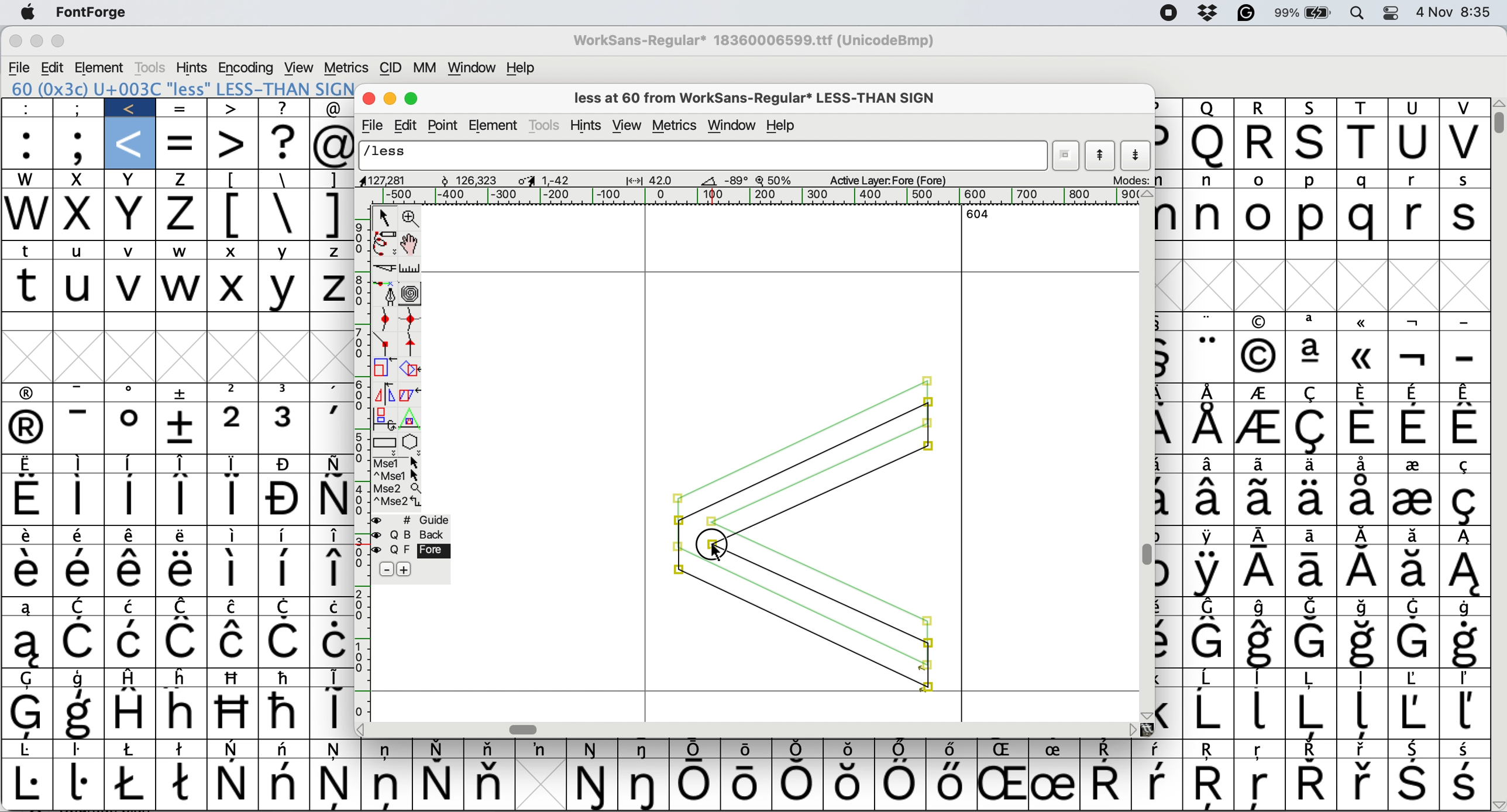 The image size is (1507, 812). I want to click on Symbol, so click(1363, 321).